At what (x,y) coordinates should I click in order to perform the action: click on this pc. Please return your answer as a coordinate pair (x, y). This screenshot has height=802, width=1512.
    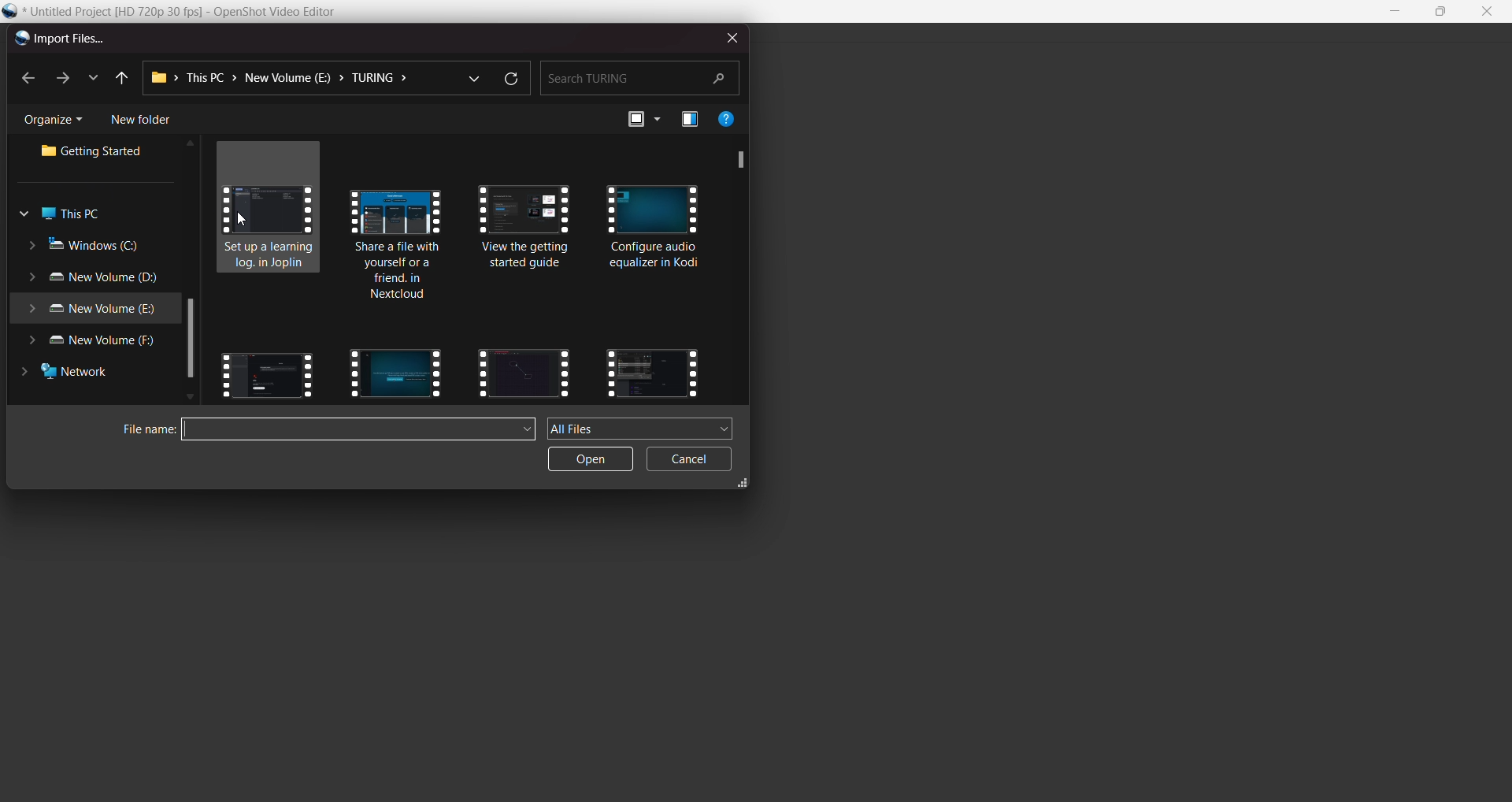
    Looking at the image, I should click on (65, 214).